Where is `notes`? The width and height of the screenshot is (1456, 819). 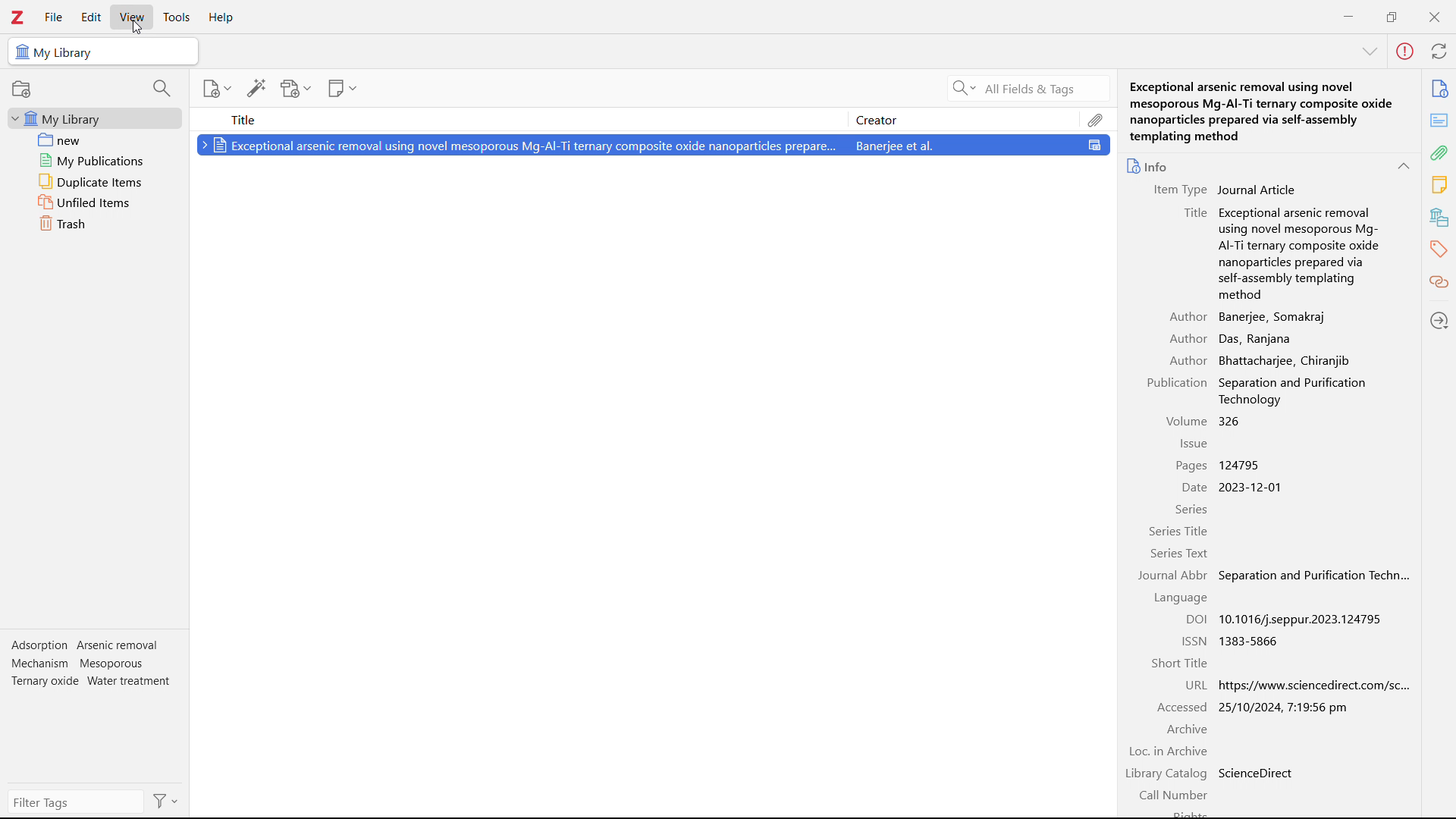 notes is located at coordinates (1439, 185).